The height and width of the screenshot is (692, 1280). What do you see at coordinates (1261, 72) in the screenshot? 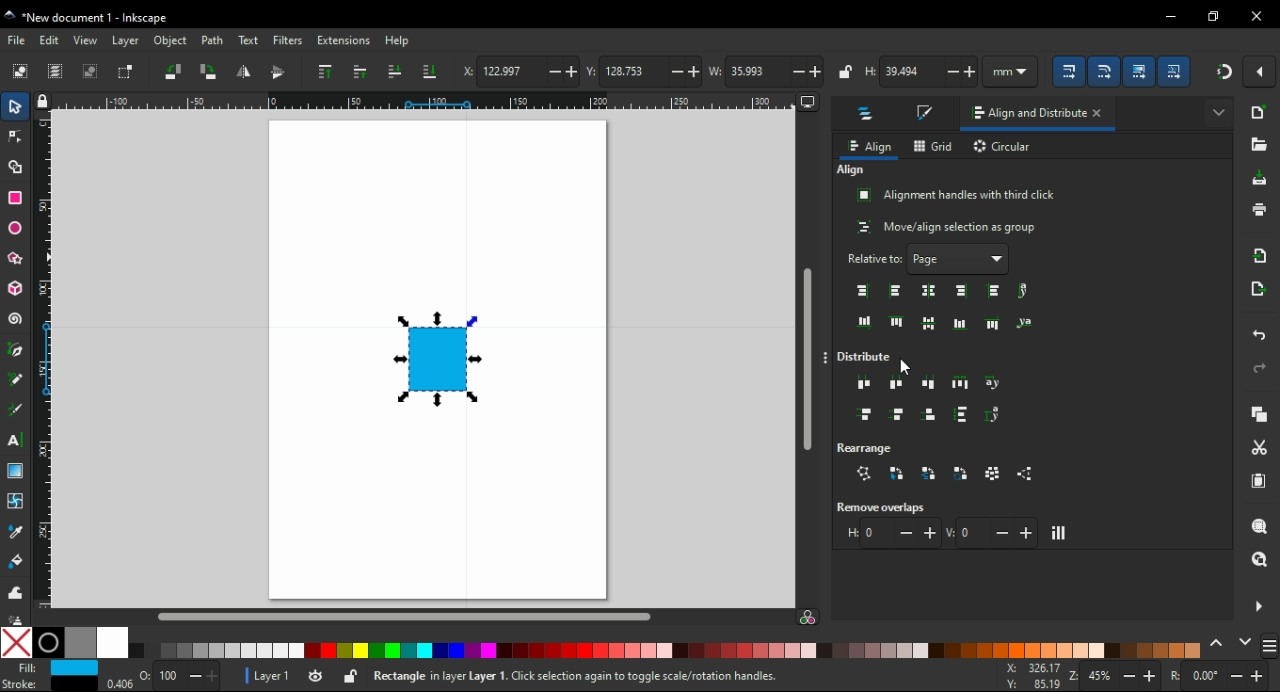
I see `snap options` at bounding box center [1261, 72].